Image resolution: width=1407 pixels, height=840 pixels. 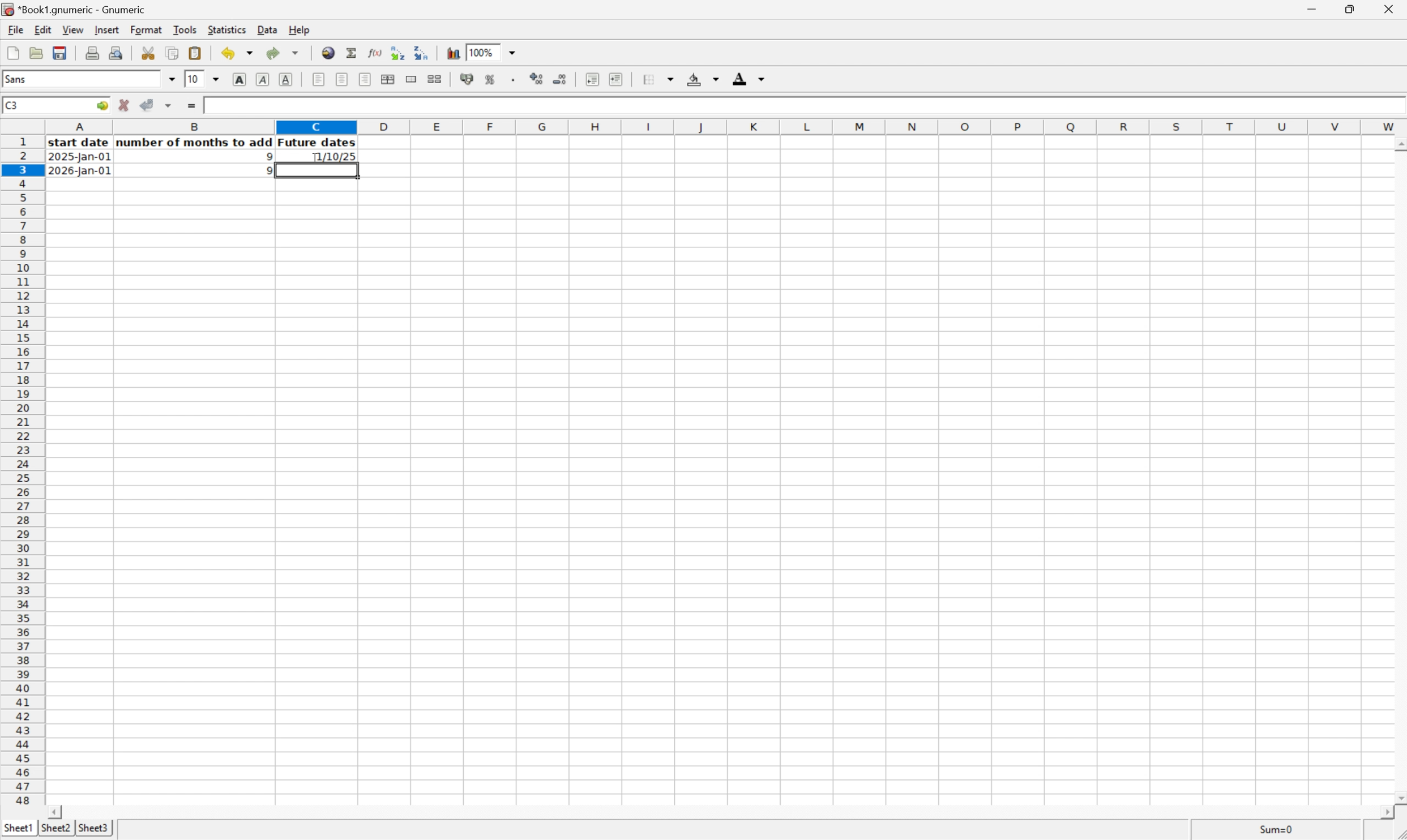 What do you see at coordinates (263, 79) in the screenshot?
I see `Italic` at bounding box center [263, 79].